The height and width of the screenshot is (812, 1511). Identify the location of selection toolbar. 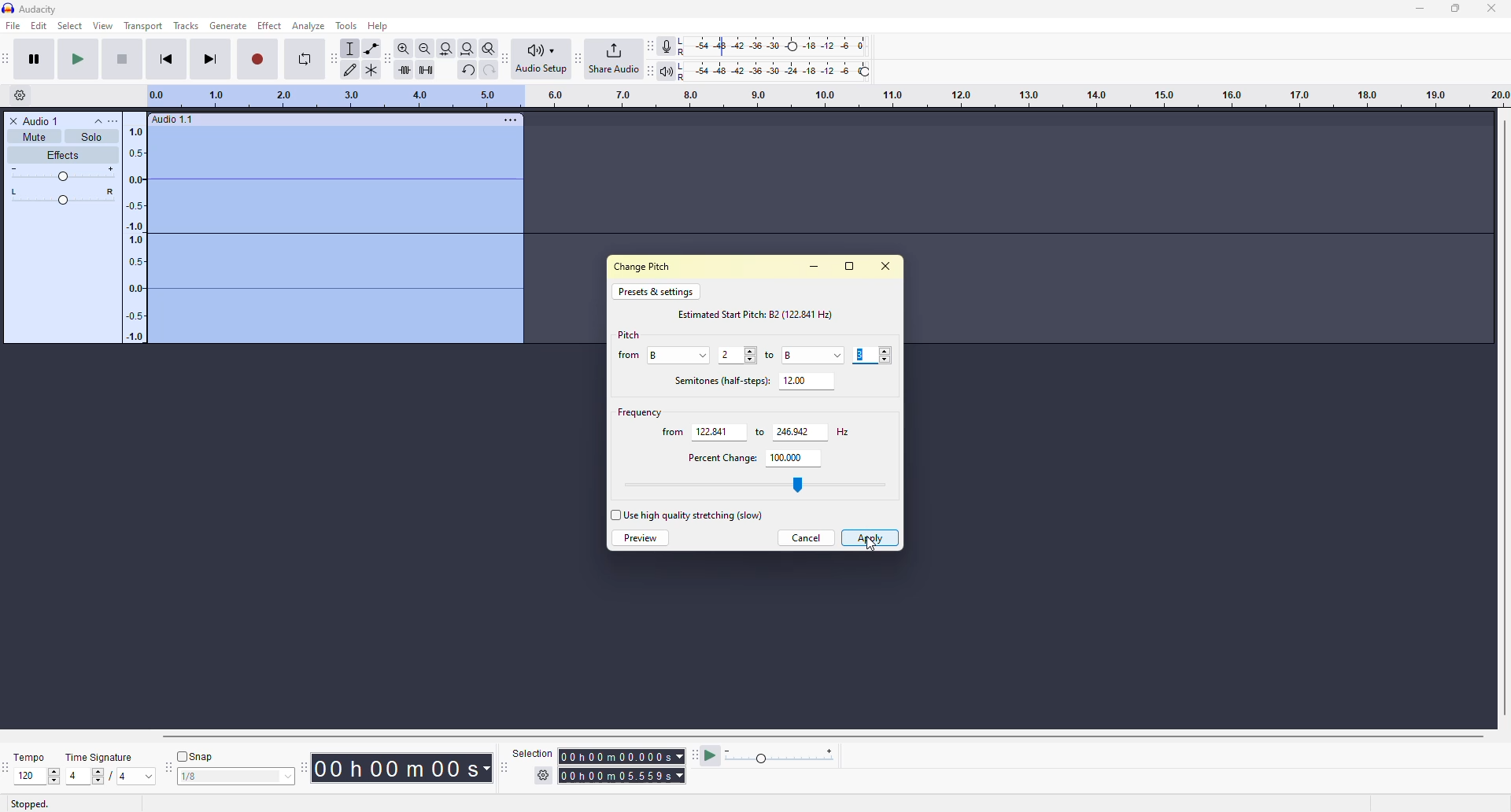
(501, 768).